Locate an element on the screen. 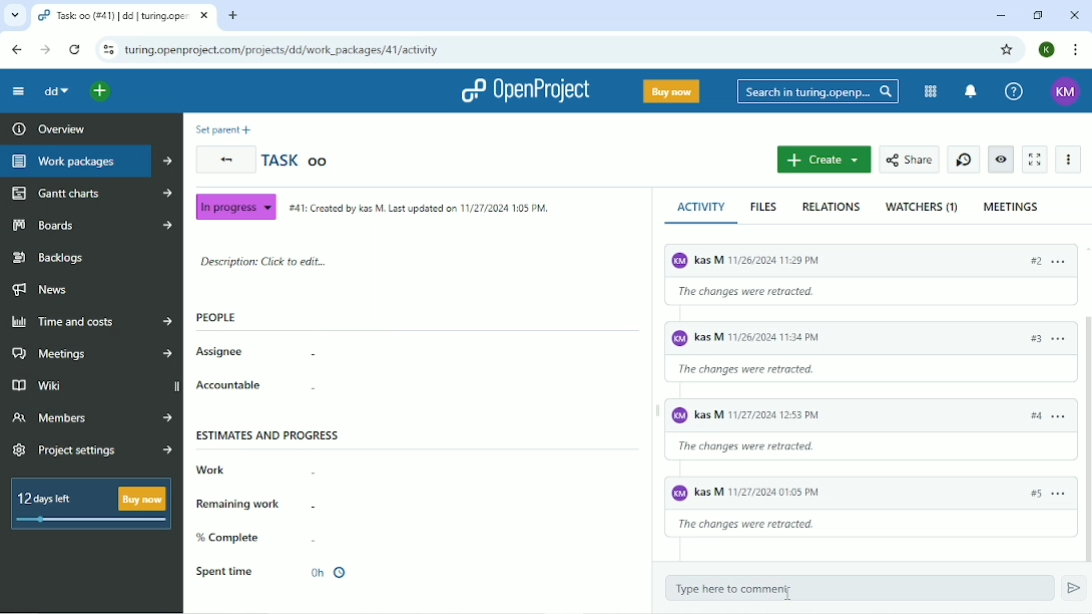 This screenshot has width=1092, height=614. #3 is located at coordinates (1027, 339).